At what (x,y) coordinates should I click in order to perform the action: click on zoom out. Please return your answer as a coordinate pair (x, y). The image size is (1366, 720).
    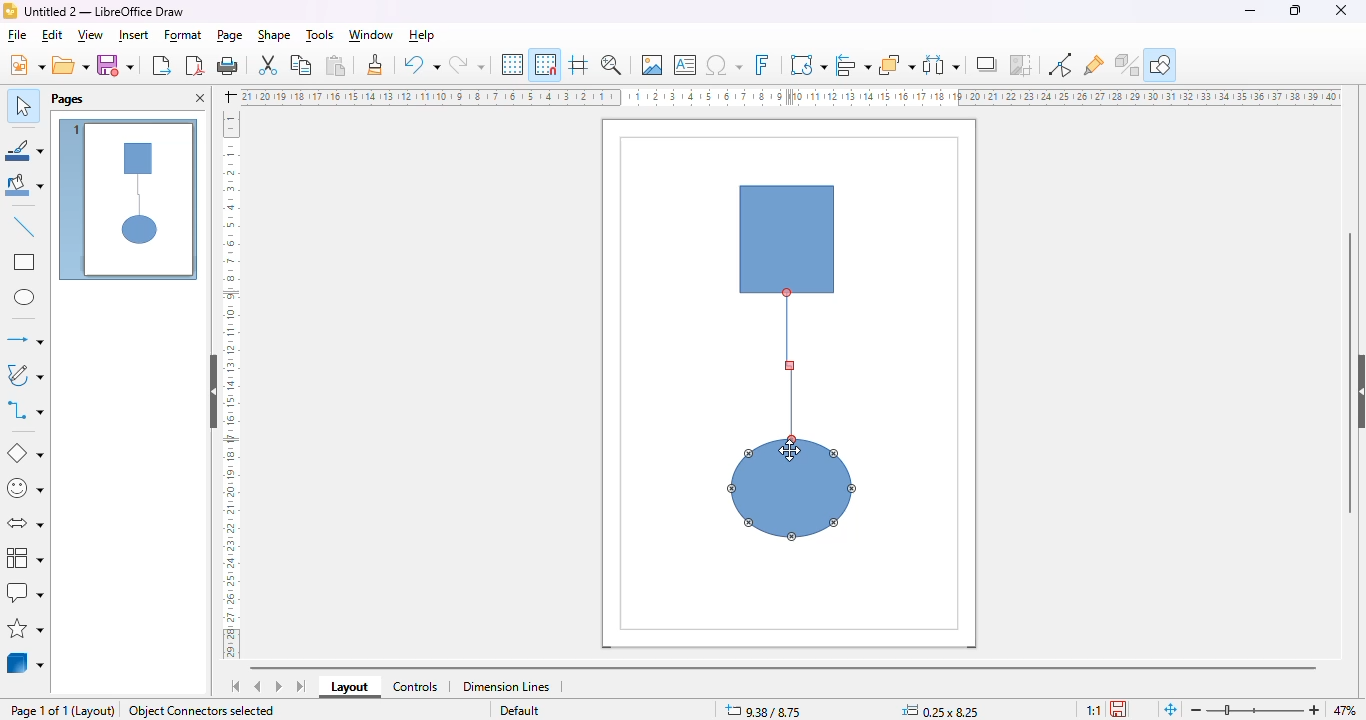
    Looking at the image, I should click on (1198, 710).